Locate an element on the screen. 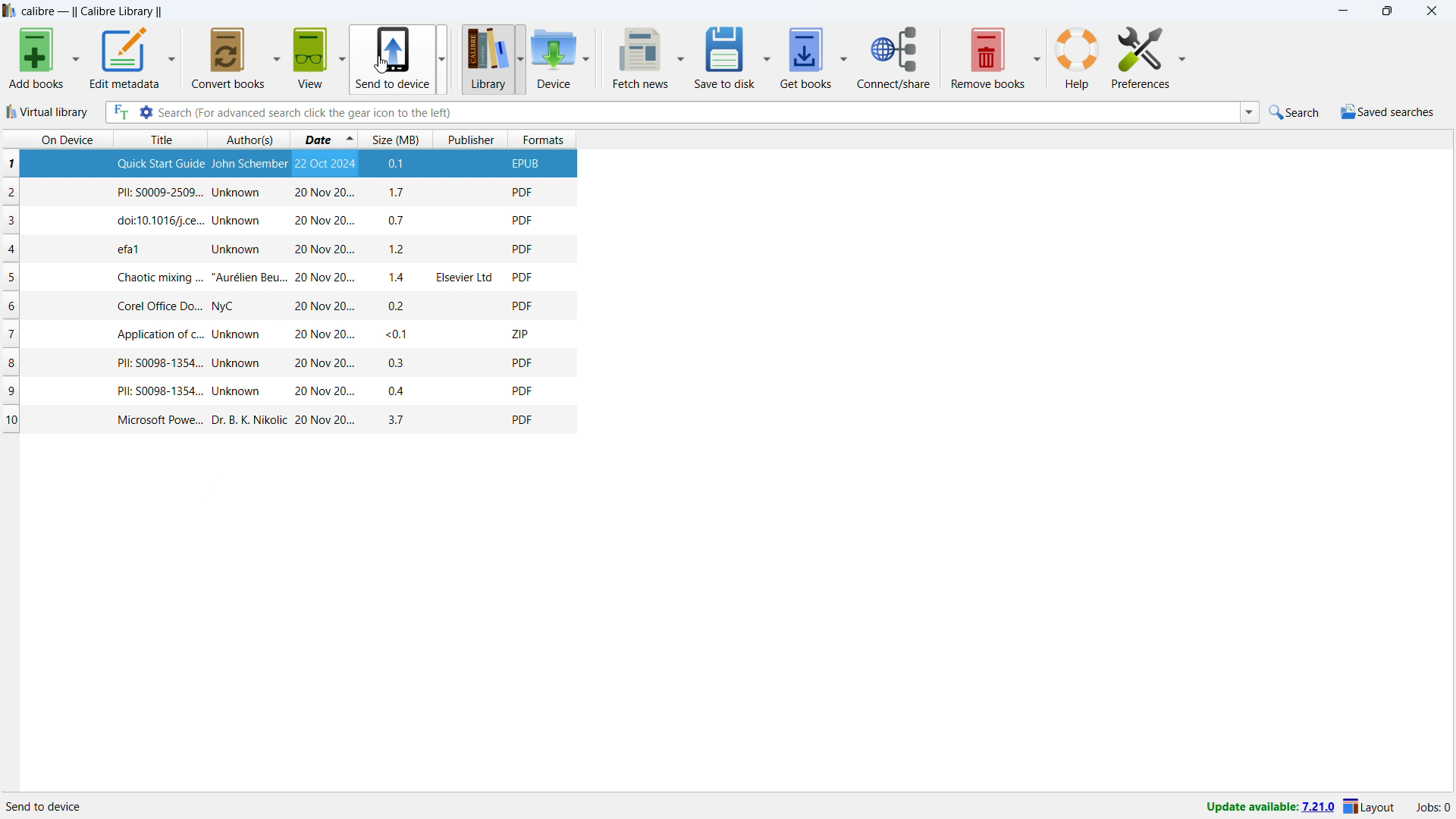  remove books is located at coordinates (988, 58).